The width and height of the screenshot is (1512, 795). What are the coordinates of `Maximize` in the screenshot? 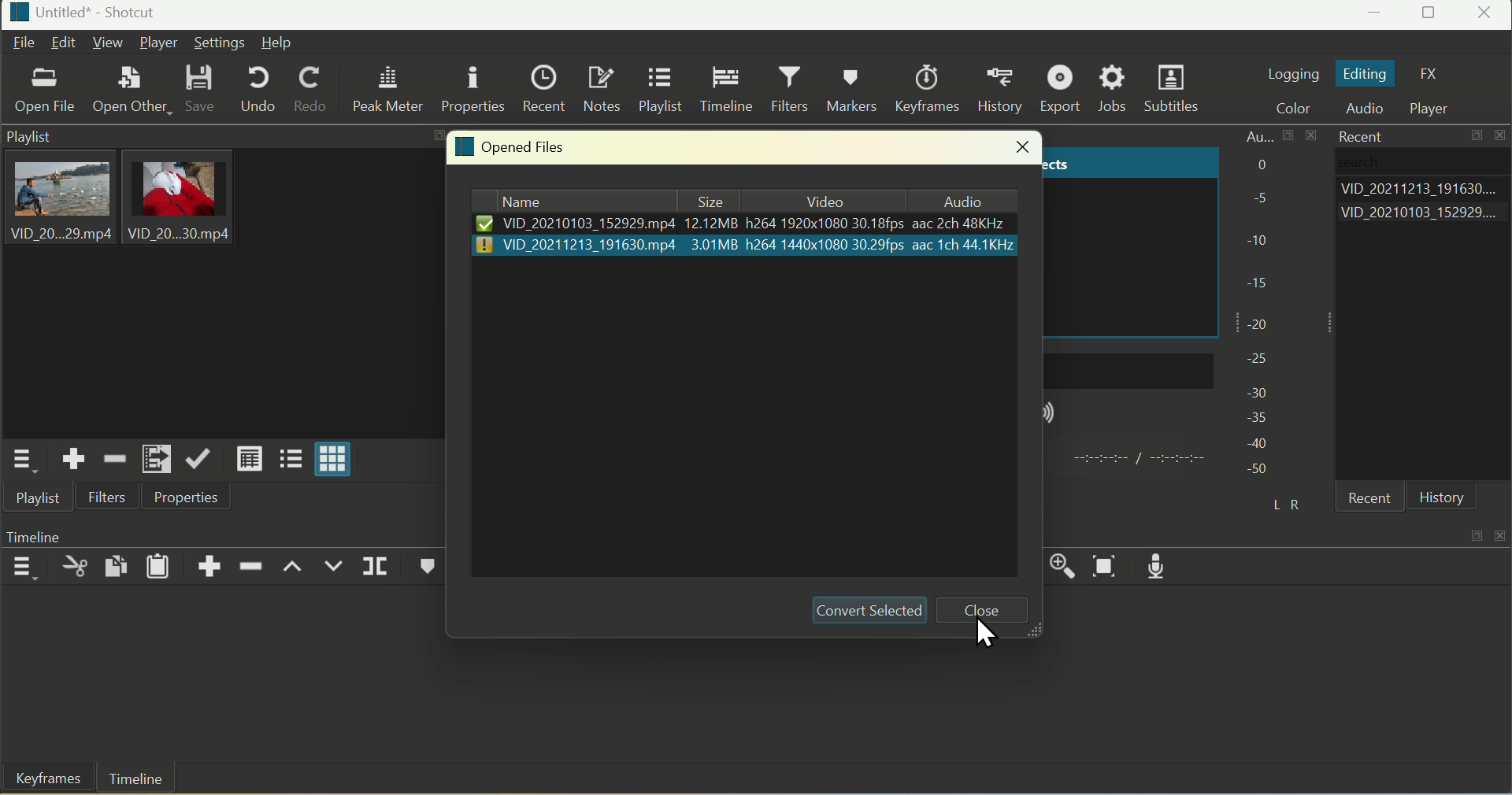 It's located at (1431, 15).